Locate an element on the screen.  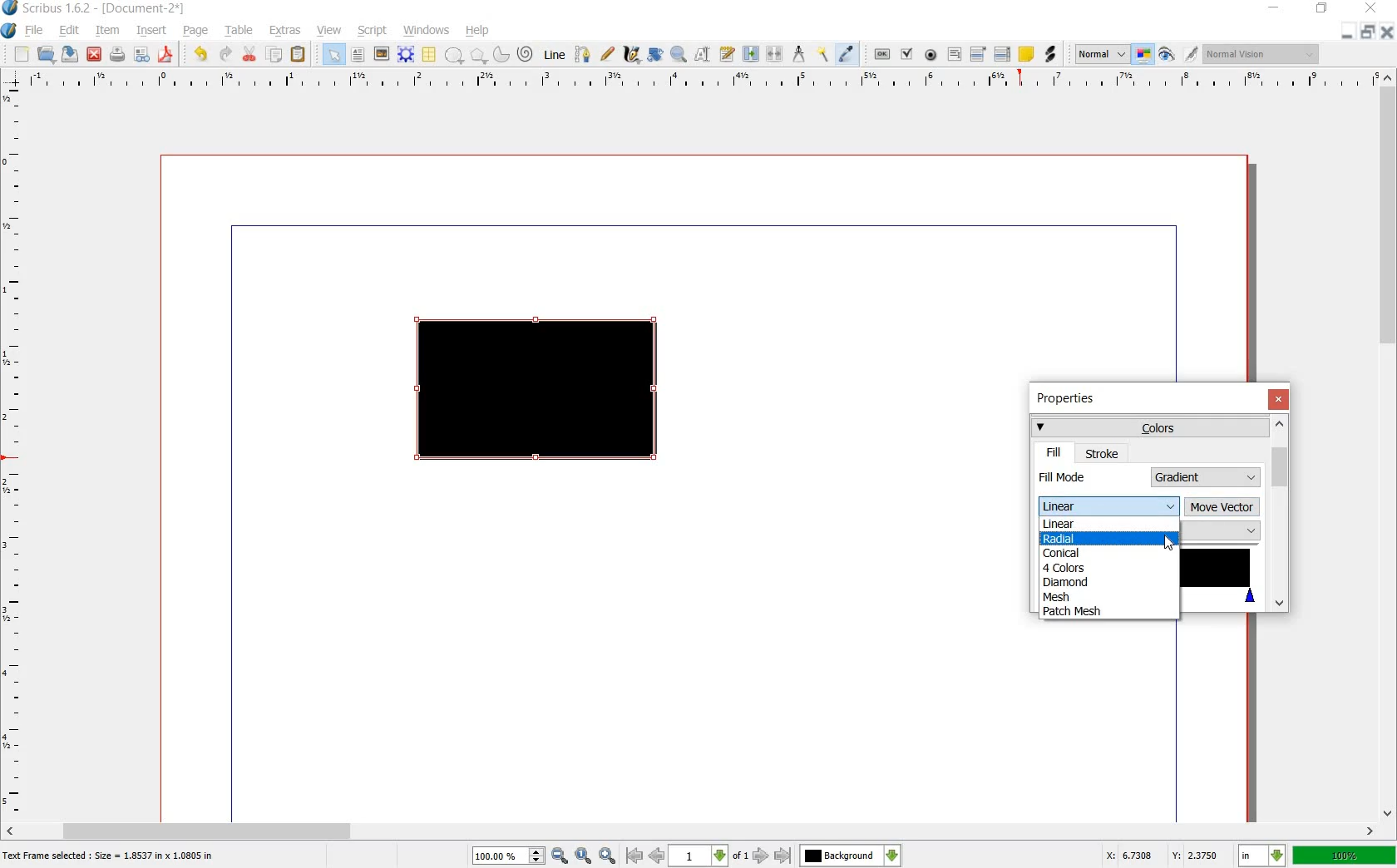
spiral is located at coordinates (526, 53).